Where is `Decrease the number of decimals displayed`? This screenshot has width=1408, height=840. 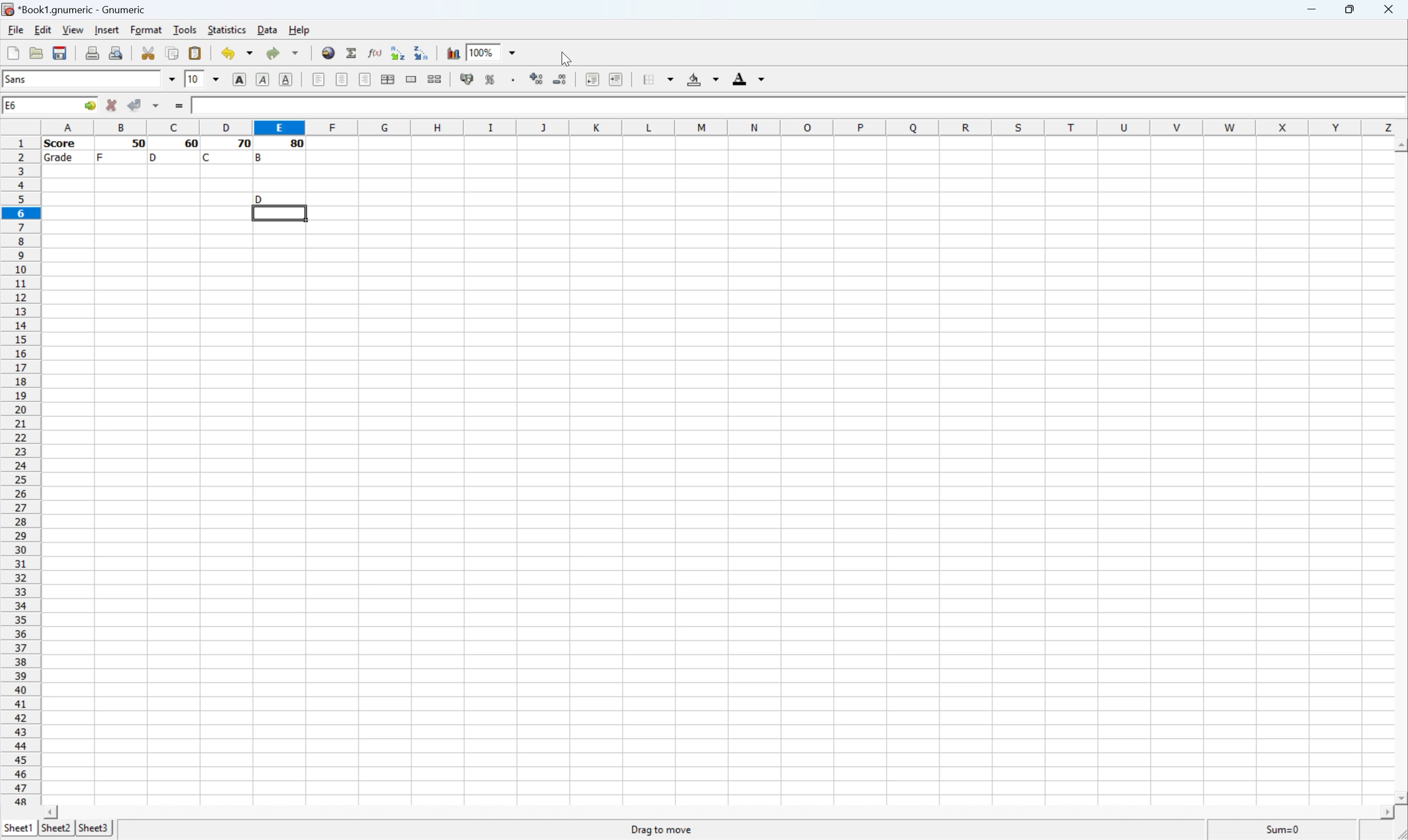 Decrease the number of decimals displayed is located at coordinates (560, 79).